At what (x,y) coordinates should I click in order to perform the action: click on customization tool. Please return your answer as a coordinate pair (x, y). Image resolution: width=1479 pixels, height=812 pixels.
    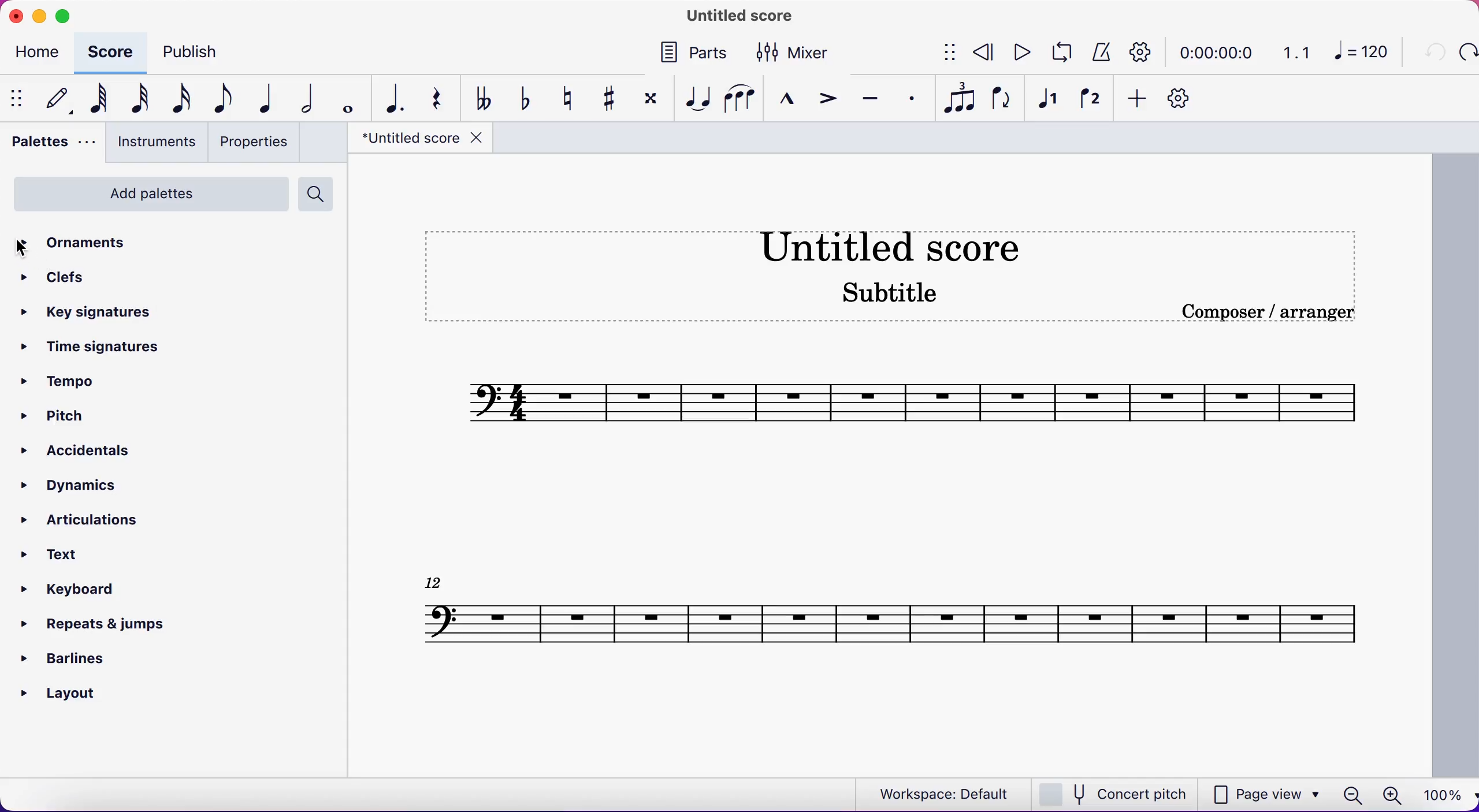
    Looking at the image, I should click on (1185, 99).